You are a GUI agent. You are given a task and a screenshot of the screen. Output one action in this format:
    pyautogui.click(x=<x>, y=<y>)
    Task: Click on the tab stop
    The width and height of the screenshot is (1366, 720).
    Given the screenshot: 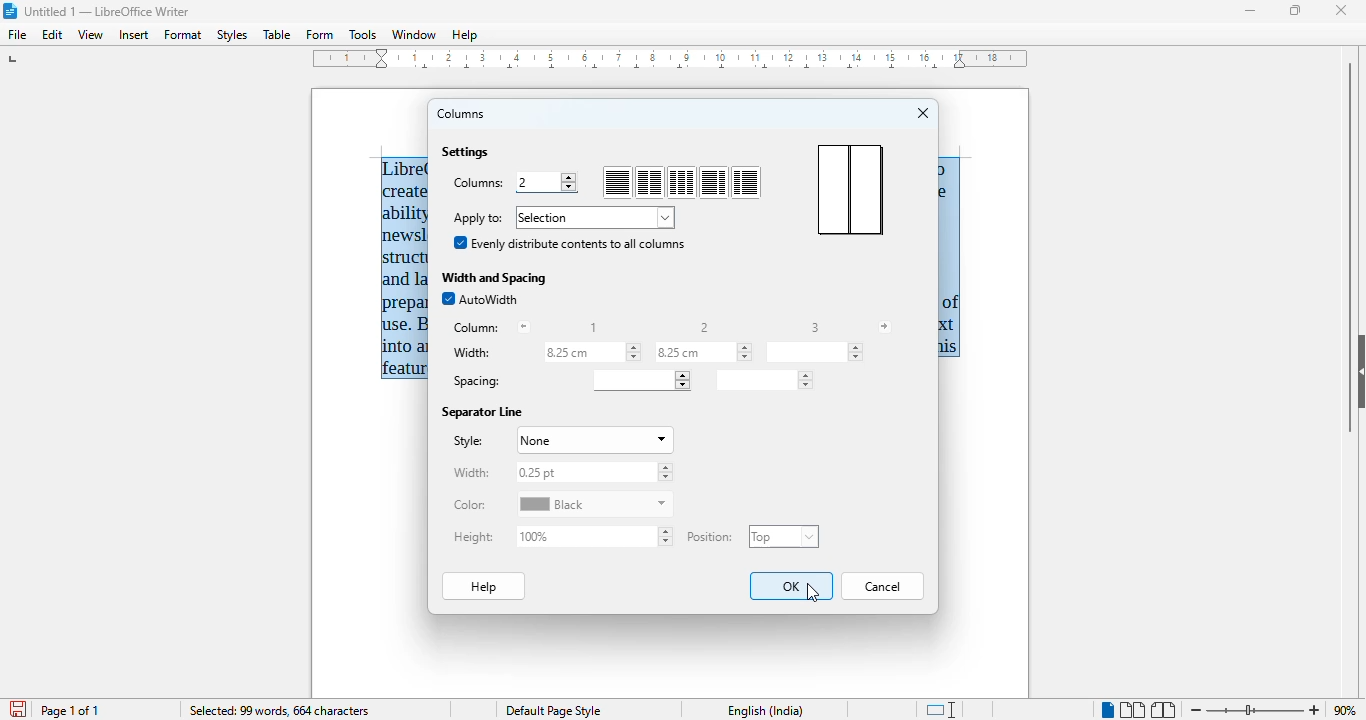 What is the action you would take?
    pyautogui.click(x=15, y=59)
    